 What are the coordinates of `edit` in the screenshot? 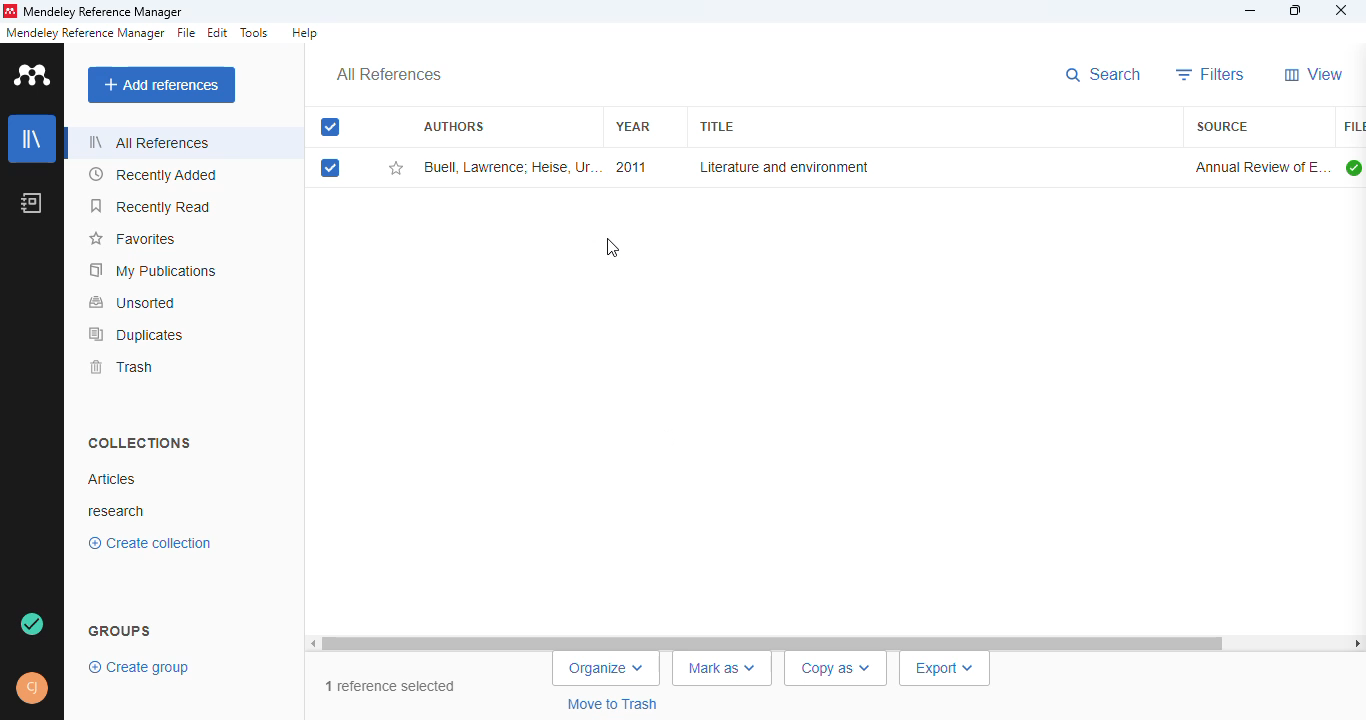 It's located at (219, 32).